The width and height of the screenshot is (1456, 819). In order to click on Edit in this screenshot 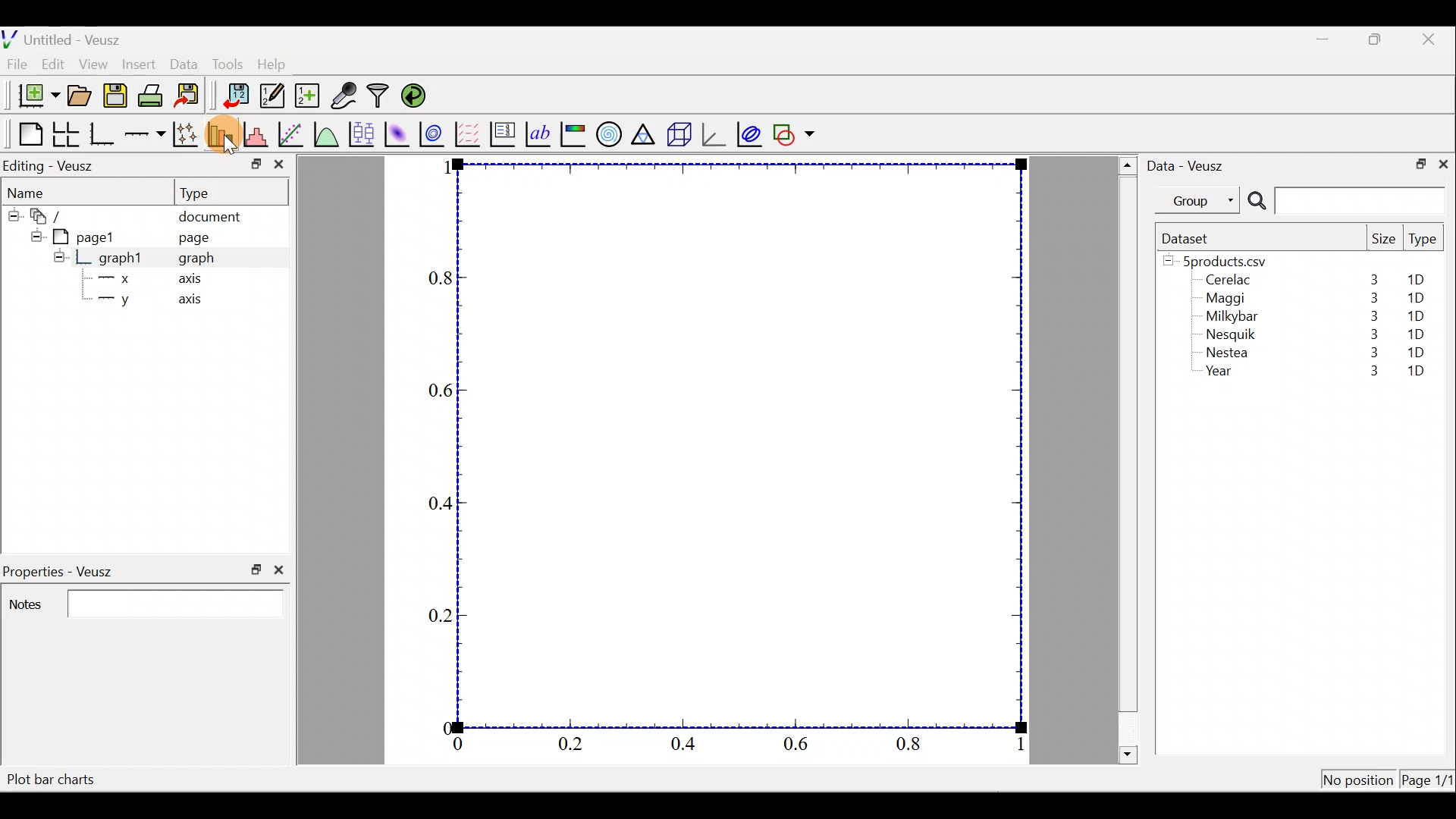, I will do `click(53, 63)`.